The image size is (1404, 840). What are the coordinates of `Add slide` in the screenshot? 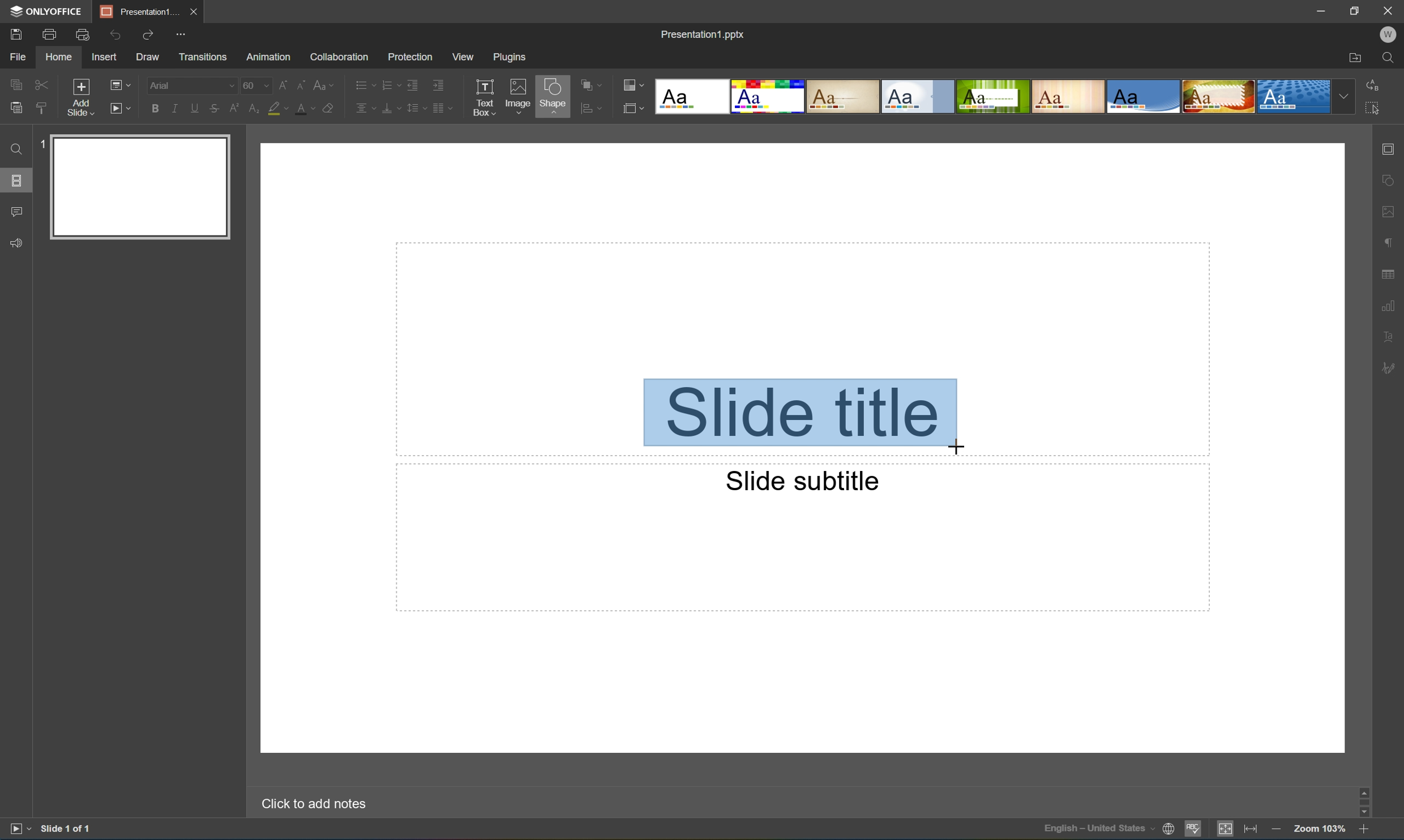 It's located at (78, 96).